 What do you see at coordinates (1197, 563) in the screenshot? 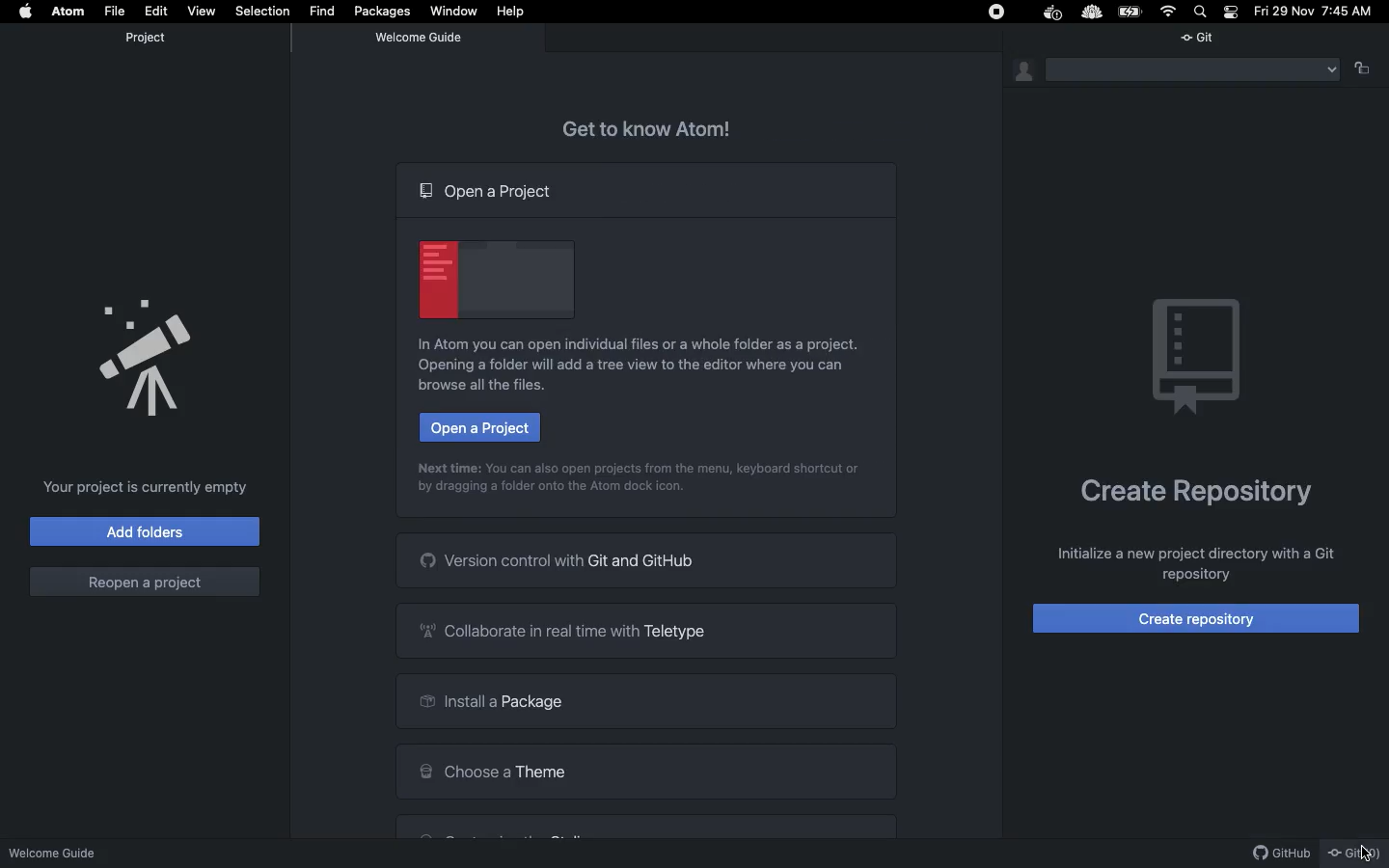
I see `` at bounding box center [1197, 563].